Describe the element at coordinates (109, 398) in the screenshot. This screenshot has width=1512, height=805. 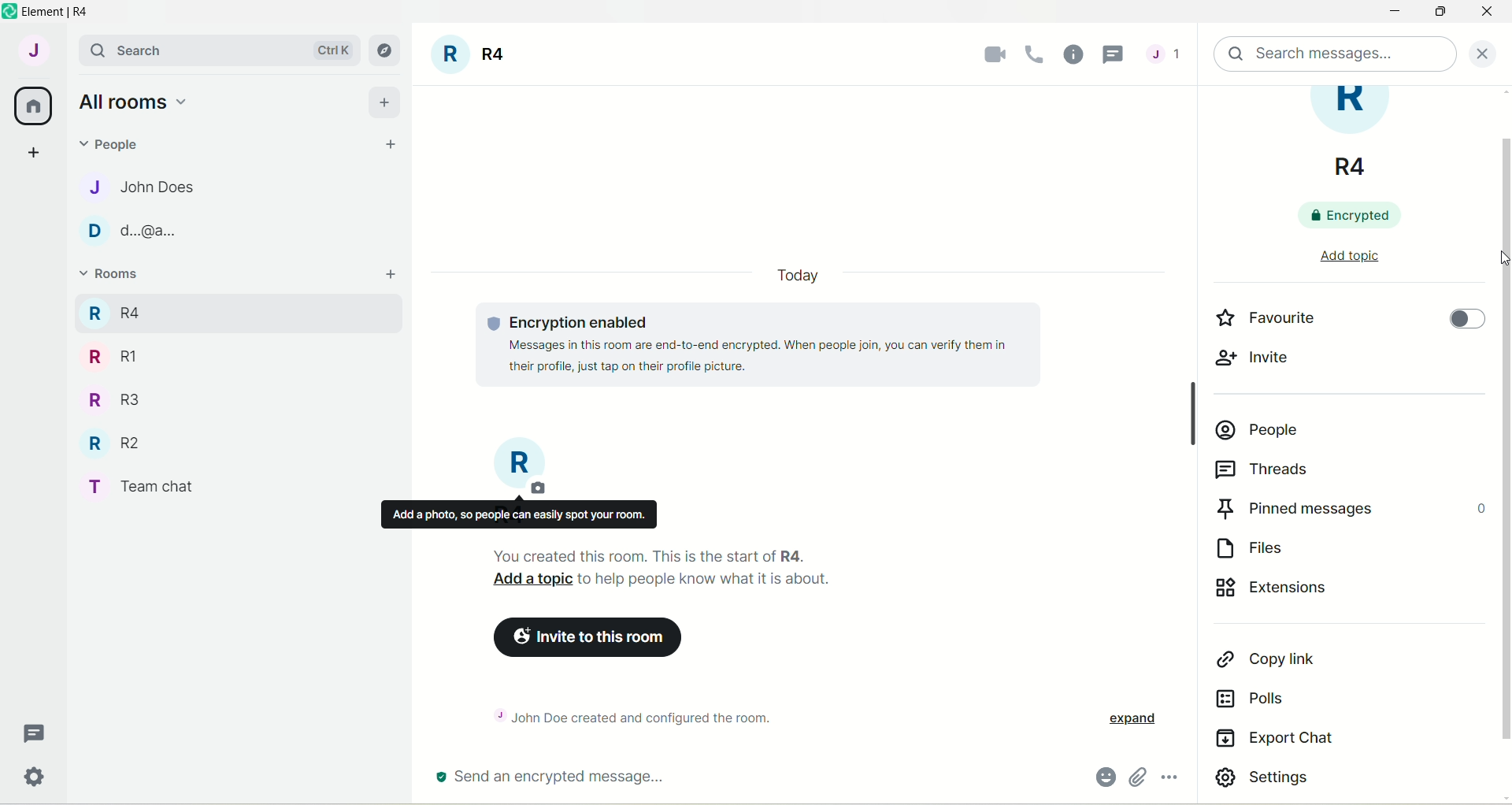
I see `R R3` at that location.